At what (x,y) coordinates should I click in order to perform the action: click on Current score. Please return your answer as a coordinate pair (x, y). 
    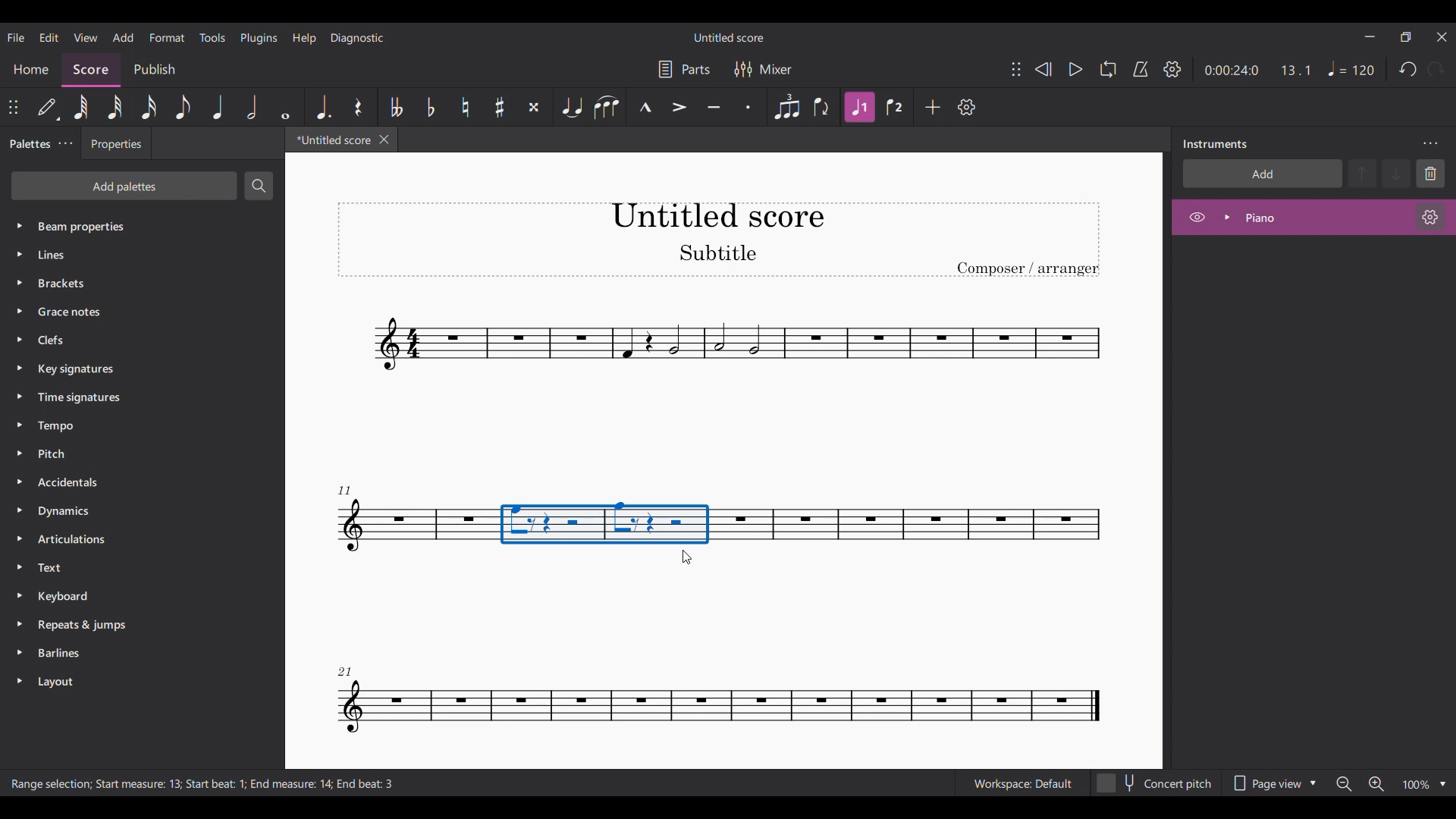
    Looking at the image, I should click on (723, 372).